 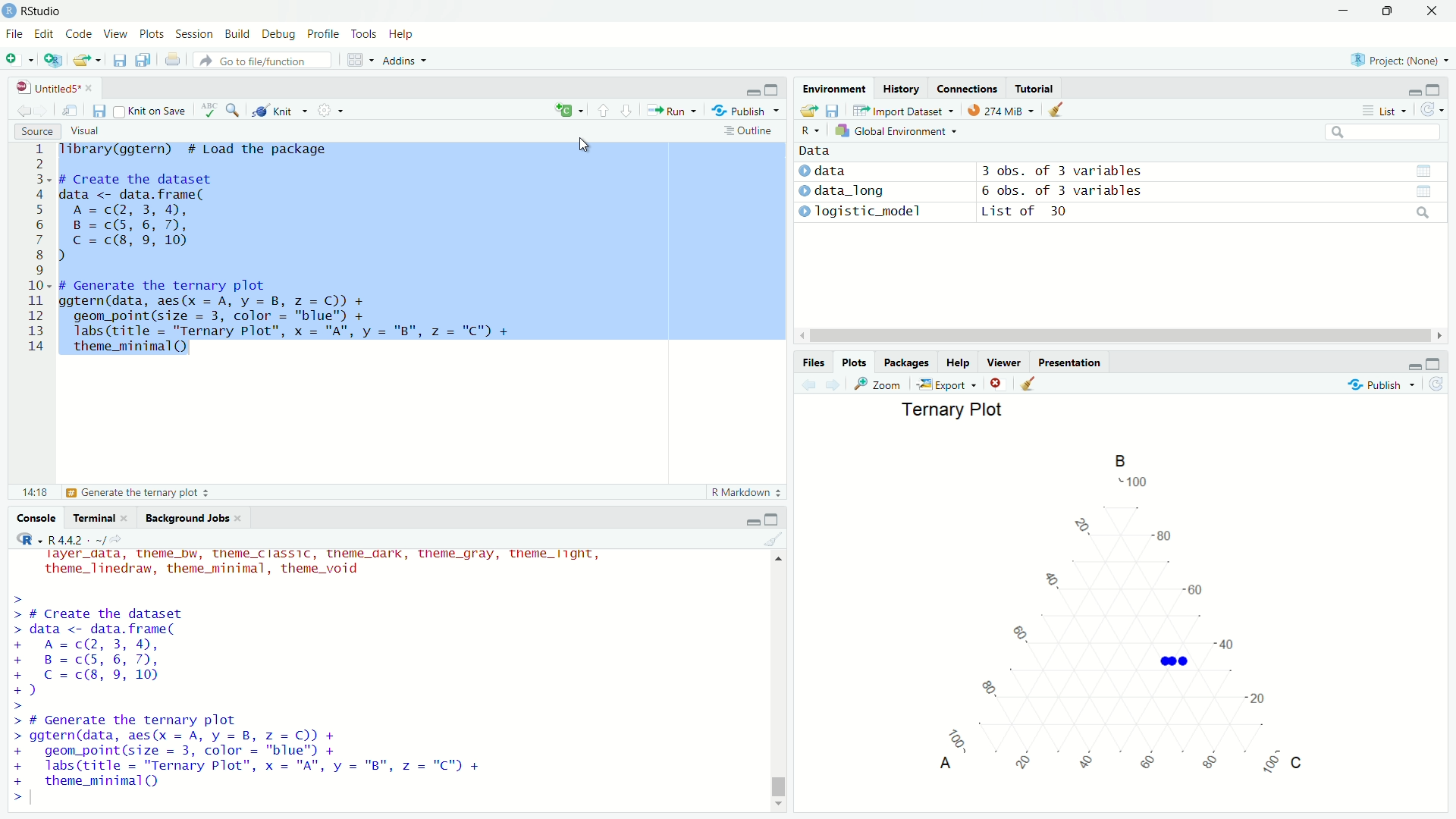 I want to click on copy, so click(x=141, y=61).